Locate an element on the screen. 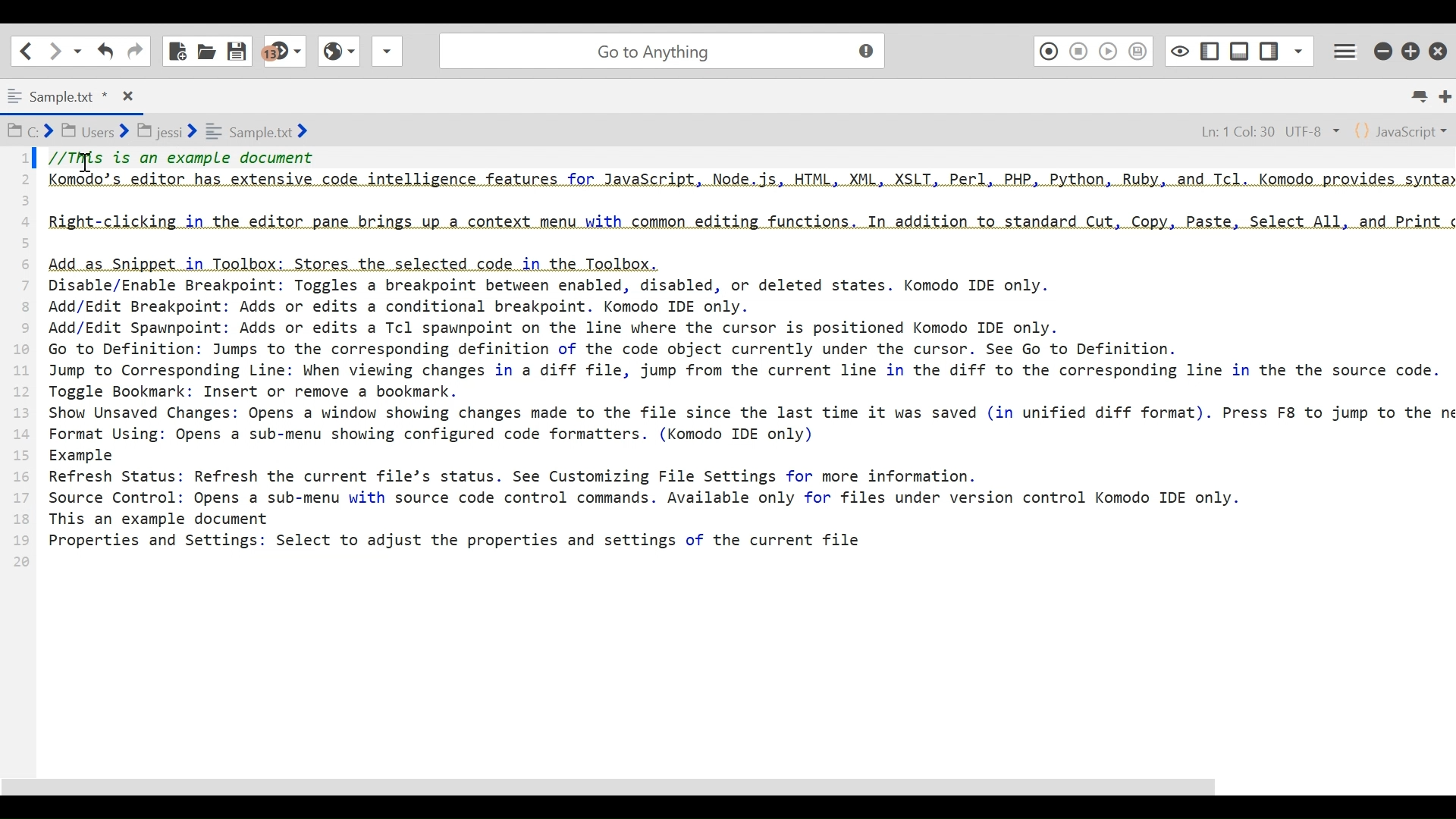  File Type is located at coordinates (1402, 130).